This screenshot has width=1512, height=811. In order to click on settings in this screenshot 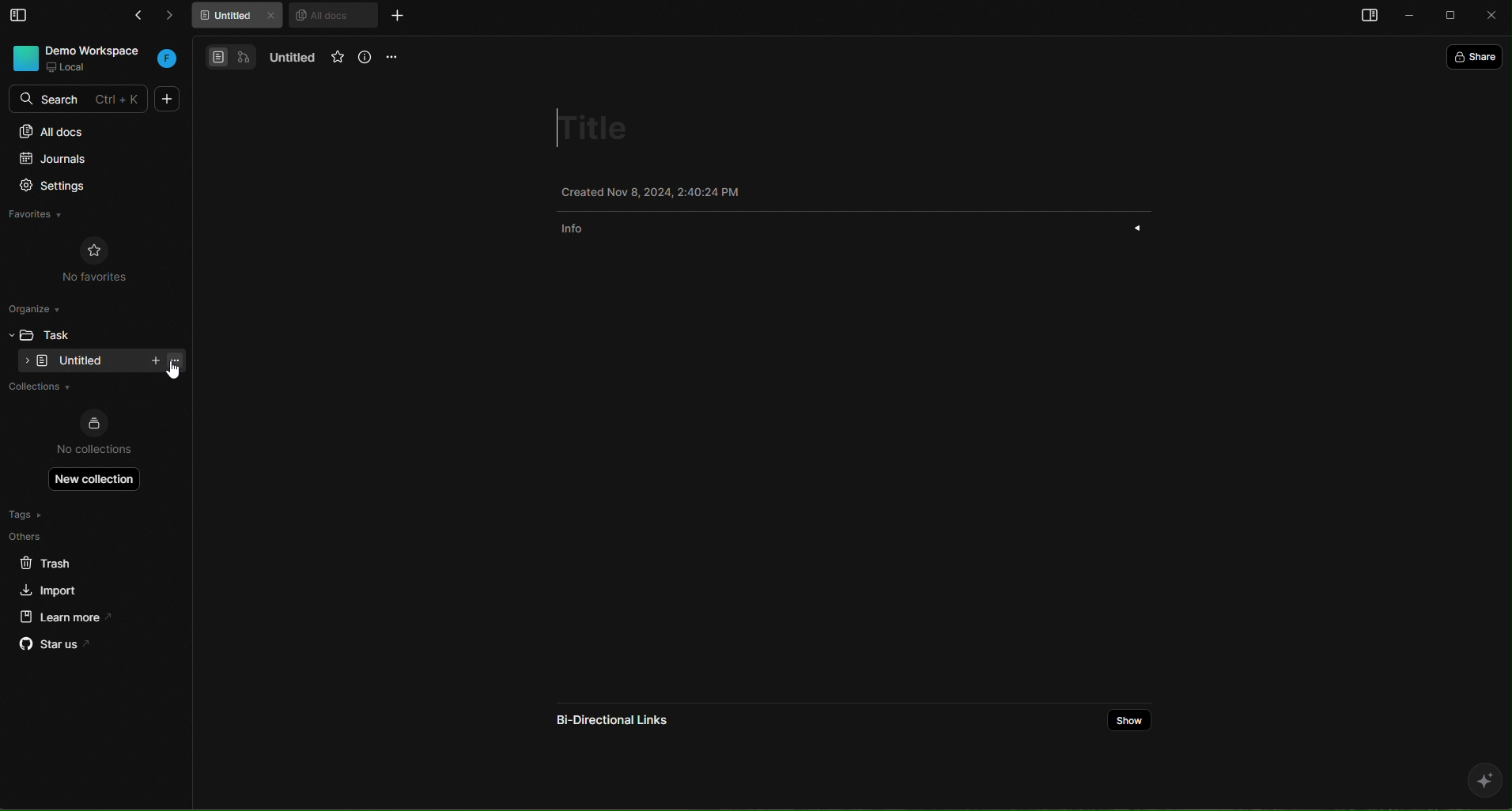, I will do `click(86, 187)`.